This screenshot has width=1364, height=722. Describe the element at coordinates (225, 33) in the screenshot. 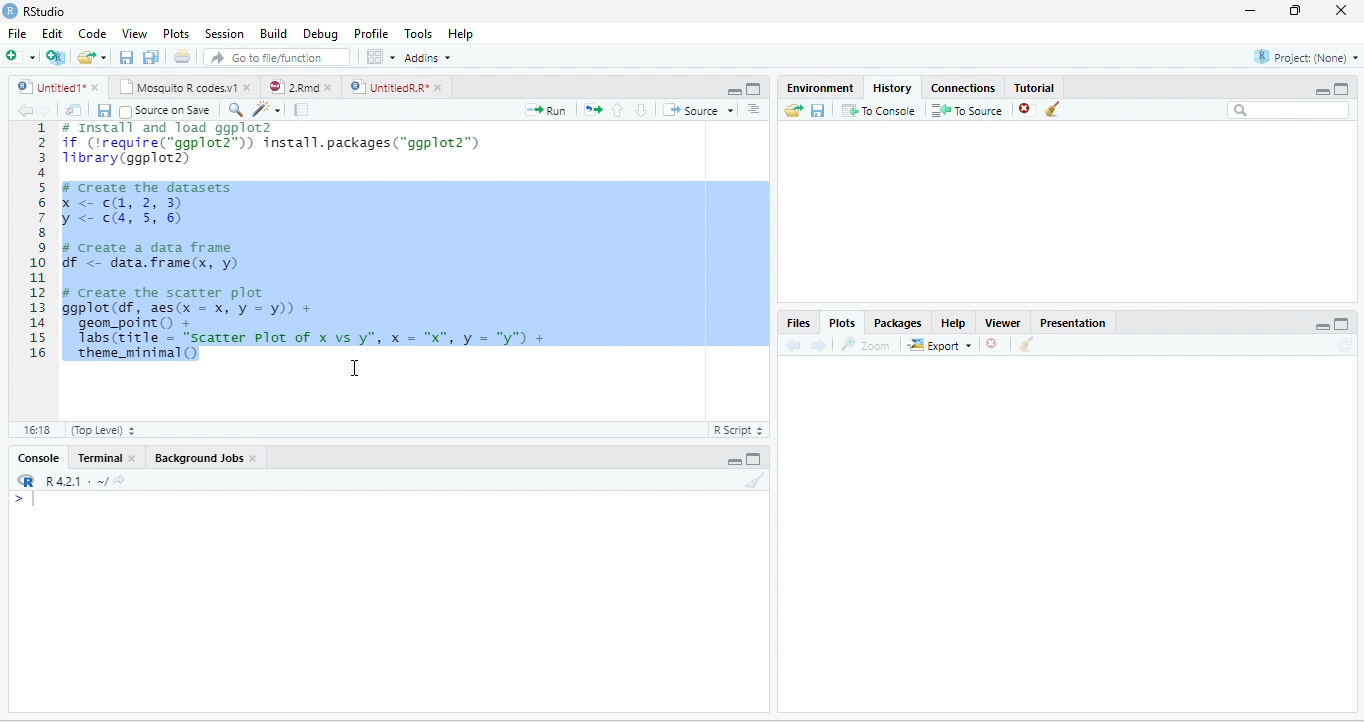

I see `Session` at that location.